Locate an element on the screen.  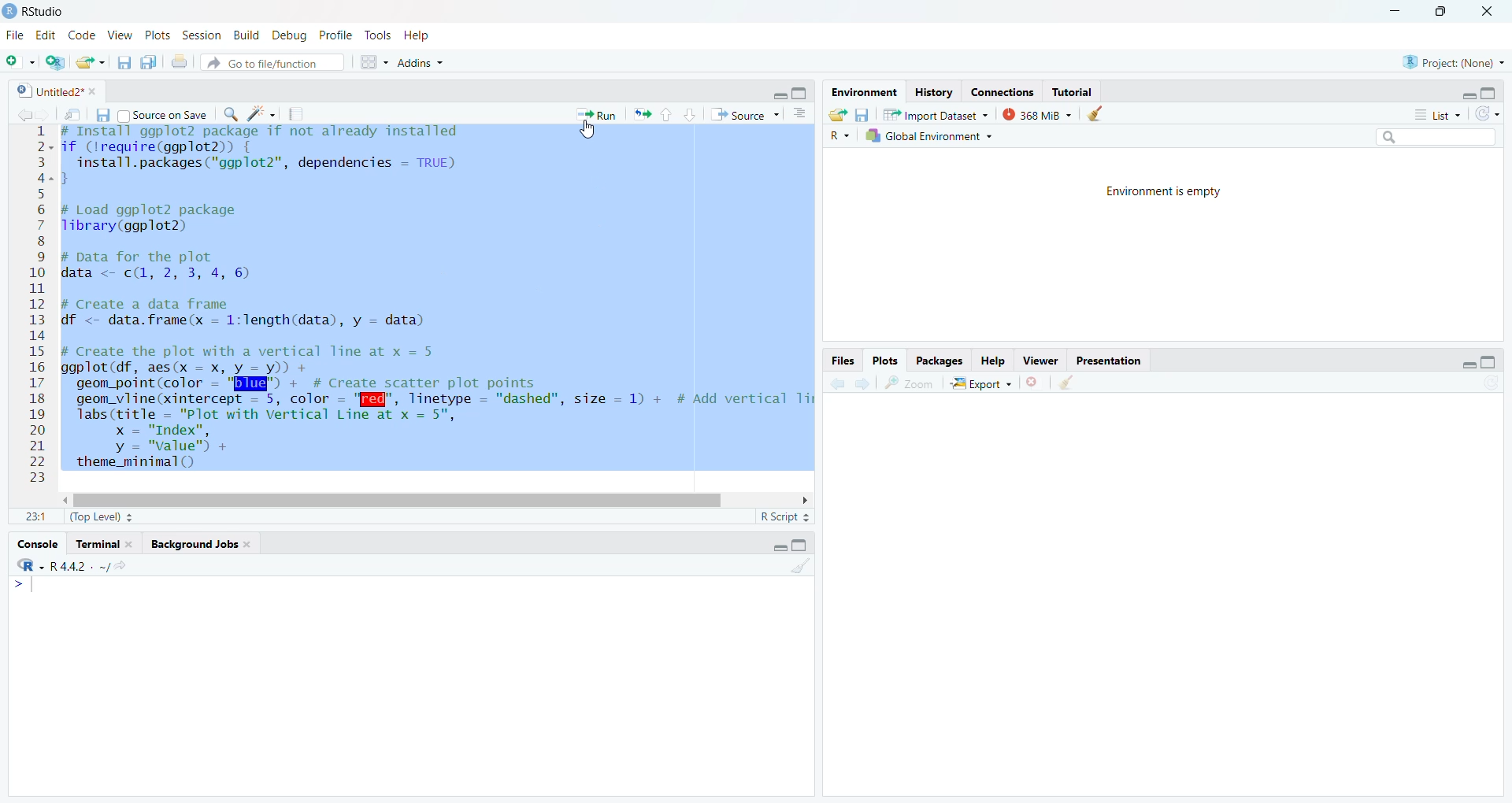
move is located at coordinates (74, 116).